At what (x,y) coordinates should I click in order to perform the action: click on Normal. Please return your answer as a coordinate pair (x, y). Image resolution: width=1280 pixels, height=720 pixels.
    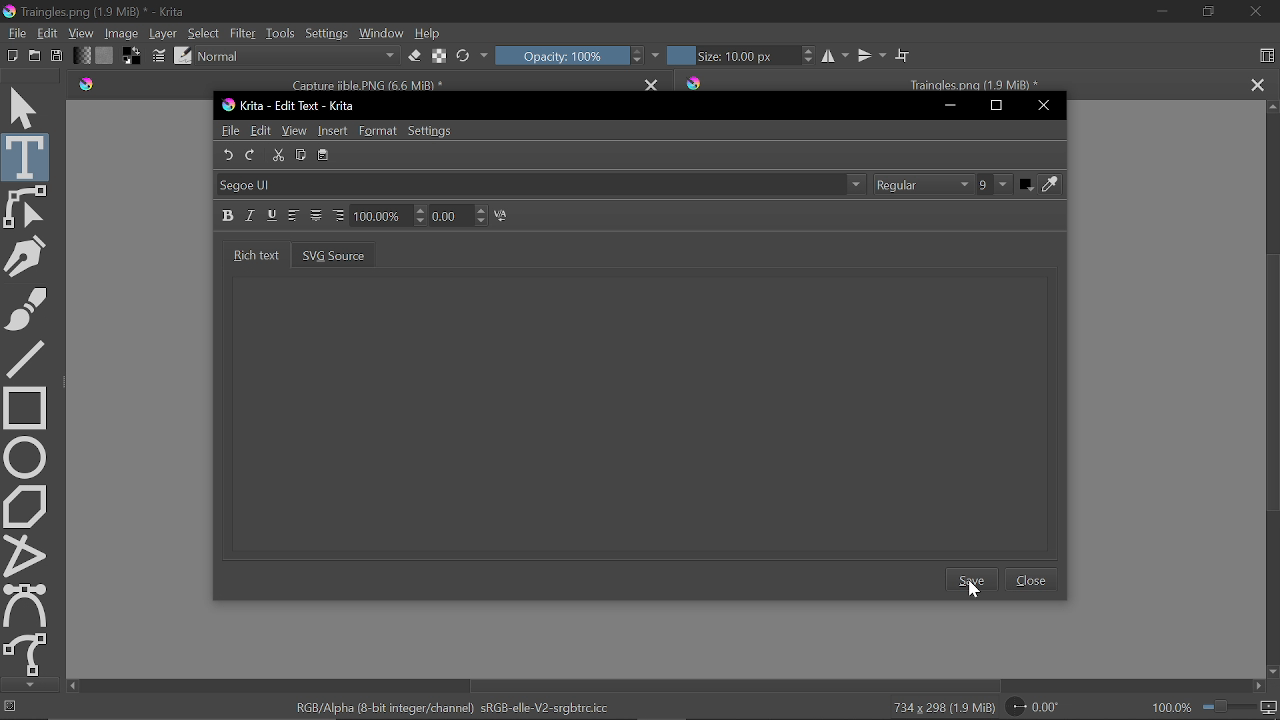
    Looking at the image, I should click on (300, 57).